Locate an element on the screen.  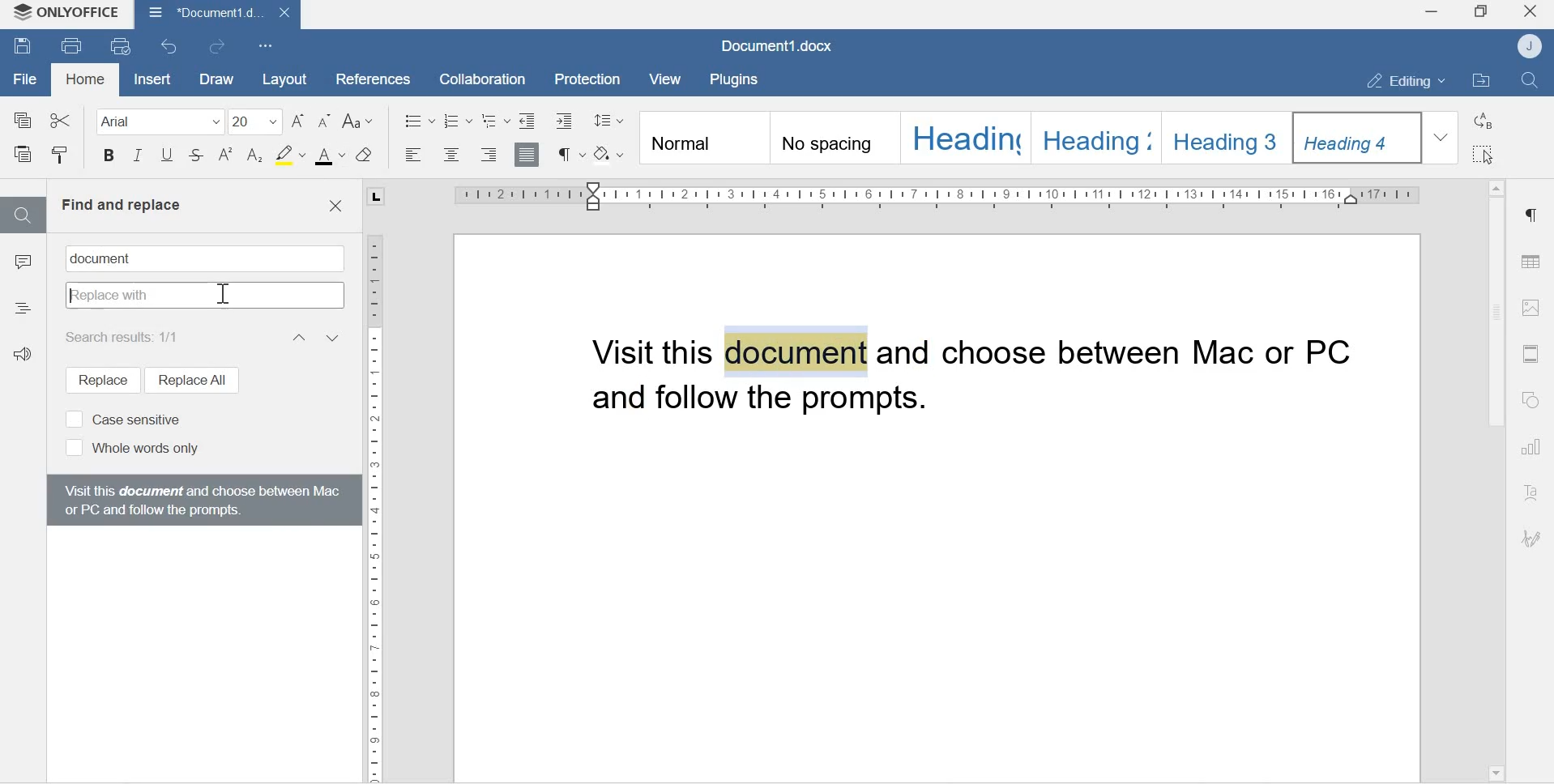
Text Cursor is located at coordinates (225, 295).